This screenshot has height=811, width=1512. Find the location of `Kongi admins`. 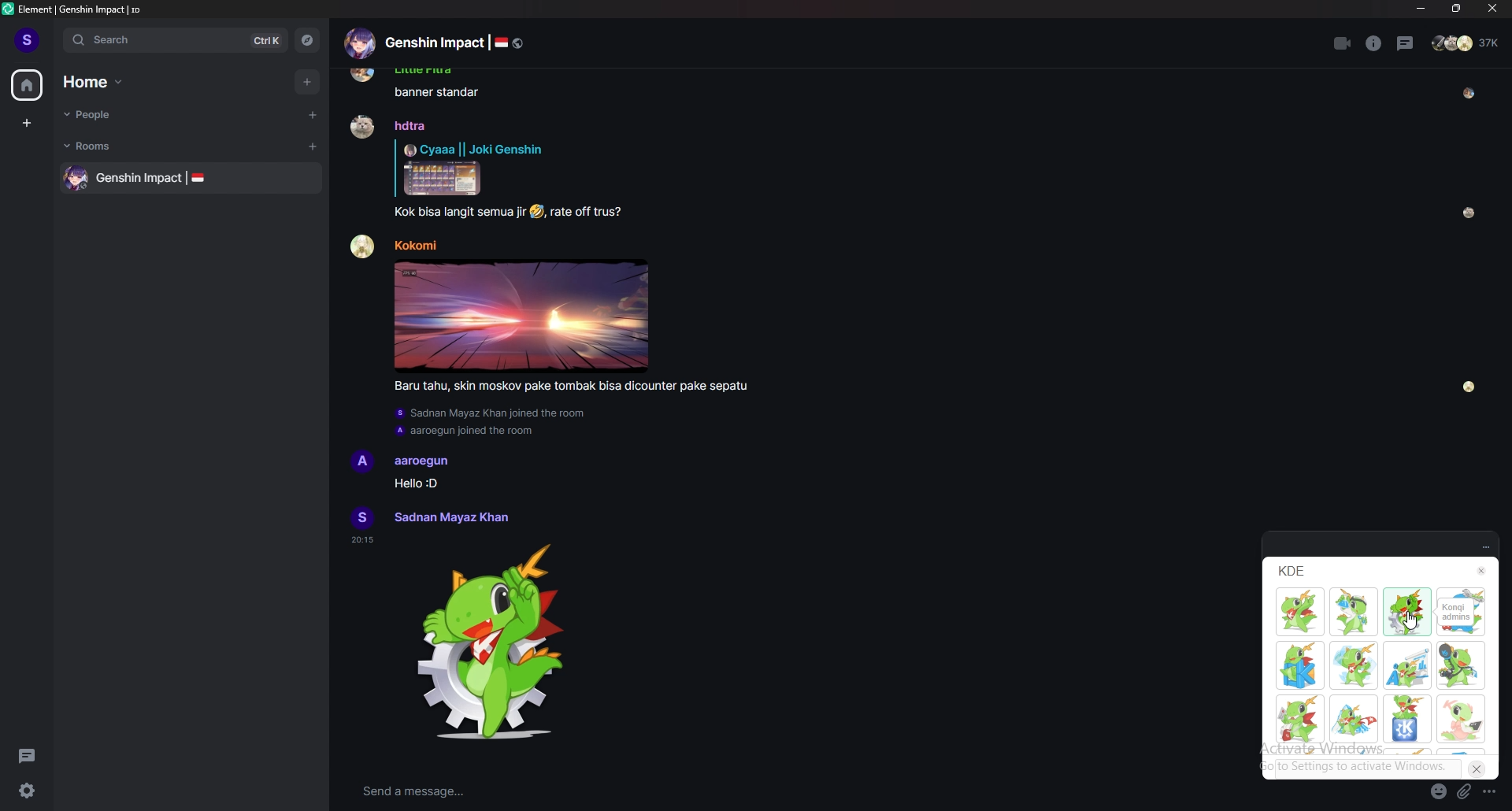

Kongi admins is located at coordinates (1406, 612).